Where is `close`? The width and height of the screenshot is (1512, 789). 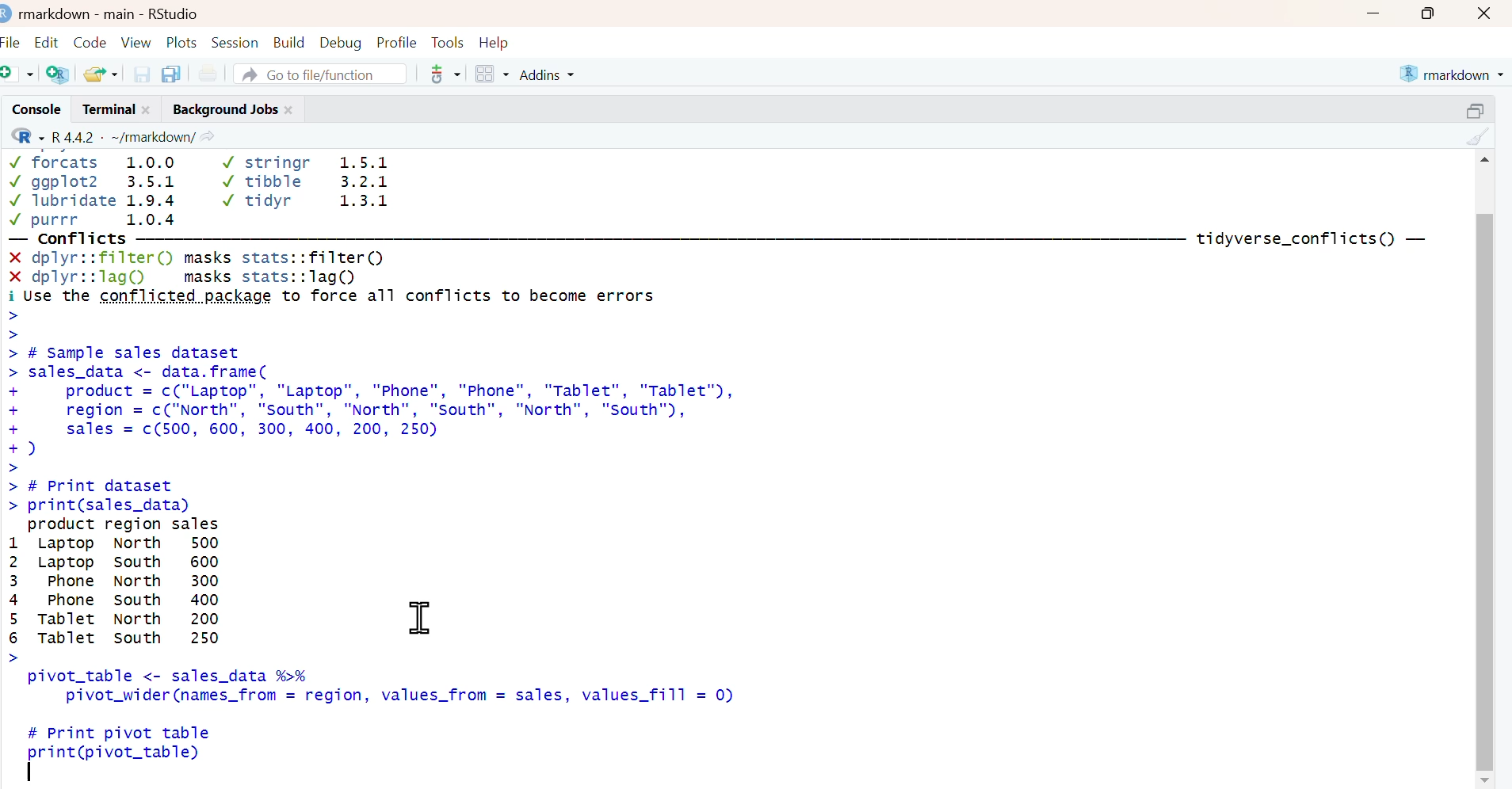 close is located at coordinates (292, 108).